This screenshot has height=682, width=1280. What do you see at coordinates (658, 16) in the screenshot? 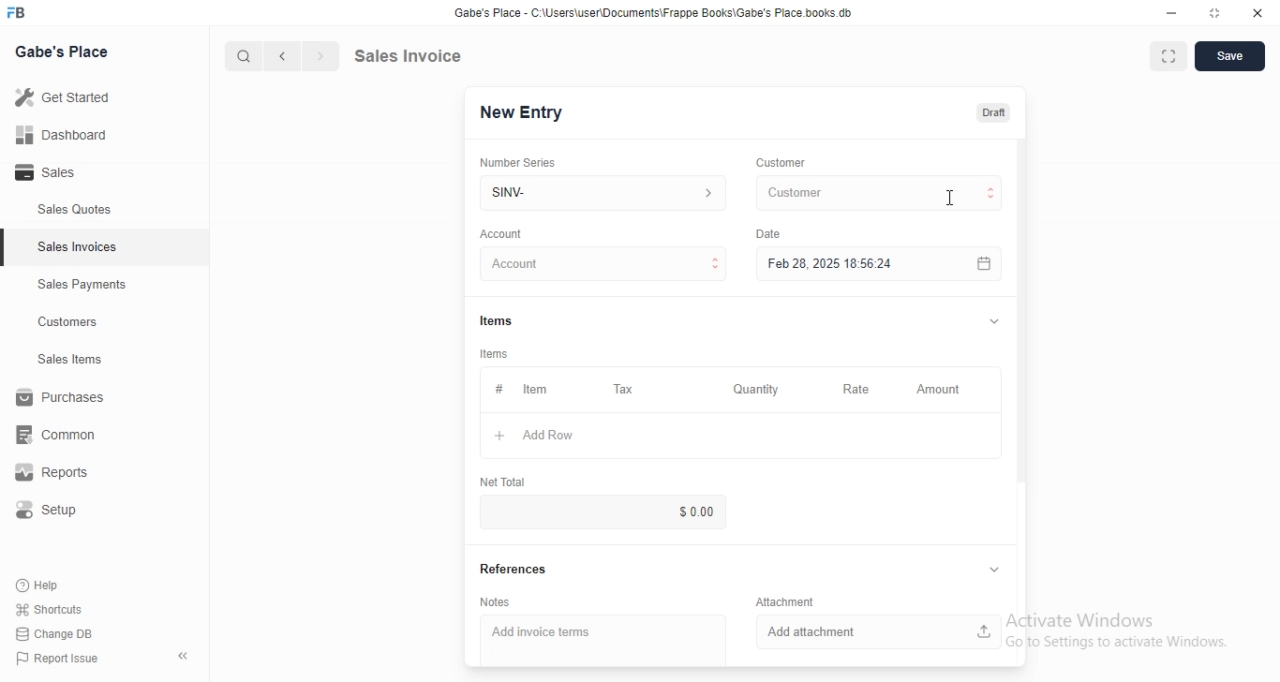
I see `Gabe's Place - C \Wsers\usenDocuments\Frappe Books\Gabe's Place books db` at bounding box center [658, 16].